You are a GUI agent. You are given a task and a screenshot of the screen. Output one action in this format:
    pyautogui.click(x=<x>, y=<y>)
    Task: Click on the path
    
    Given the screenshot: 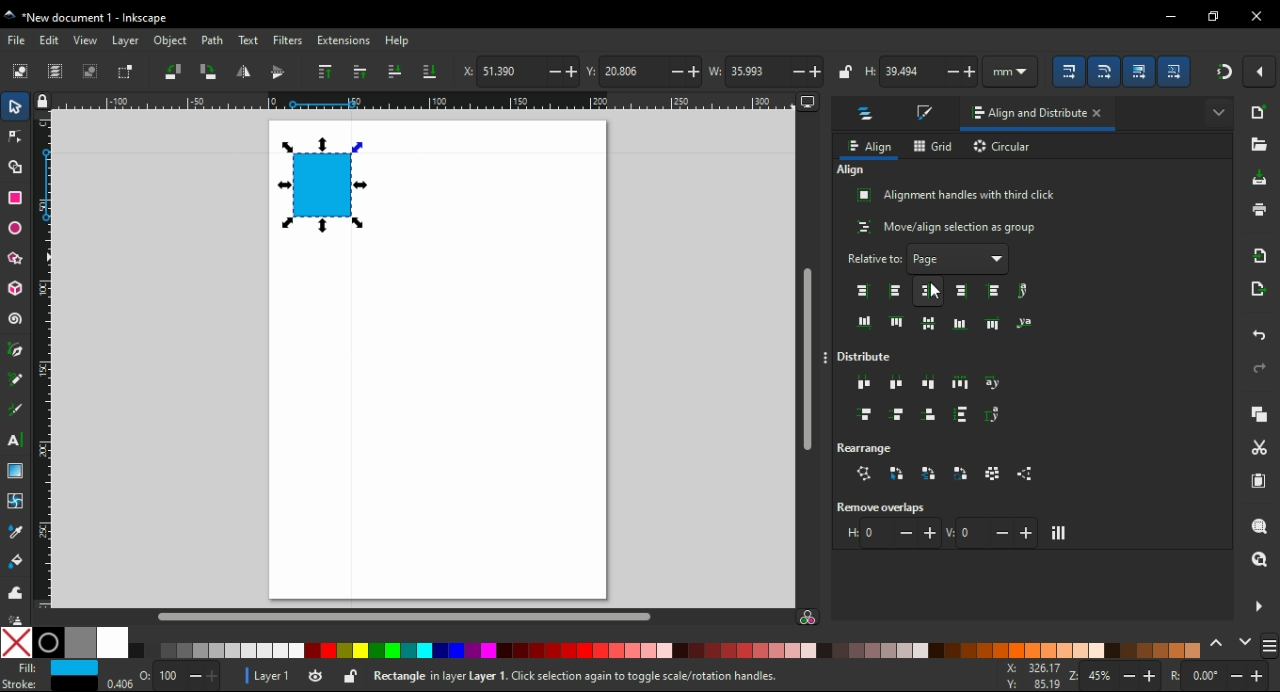 What is the action you would take?
    pyautogui.click(x=213, y=41)
    